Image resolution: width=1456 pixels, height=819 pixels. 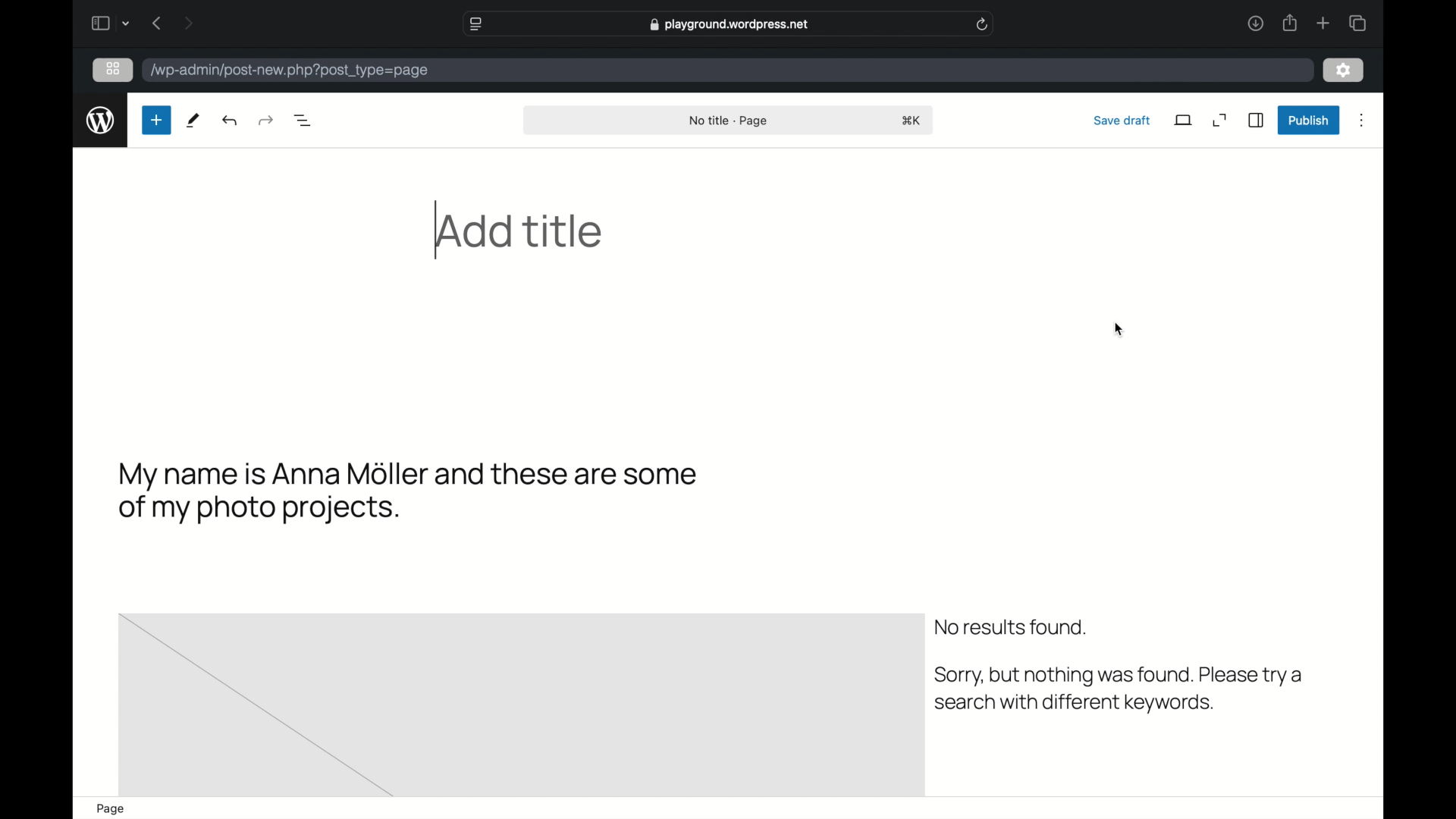 What do you see at coordinates (158, 23) in the screenshot?
I see `previous page` at bounding box center [158, 23].